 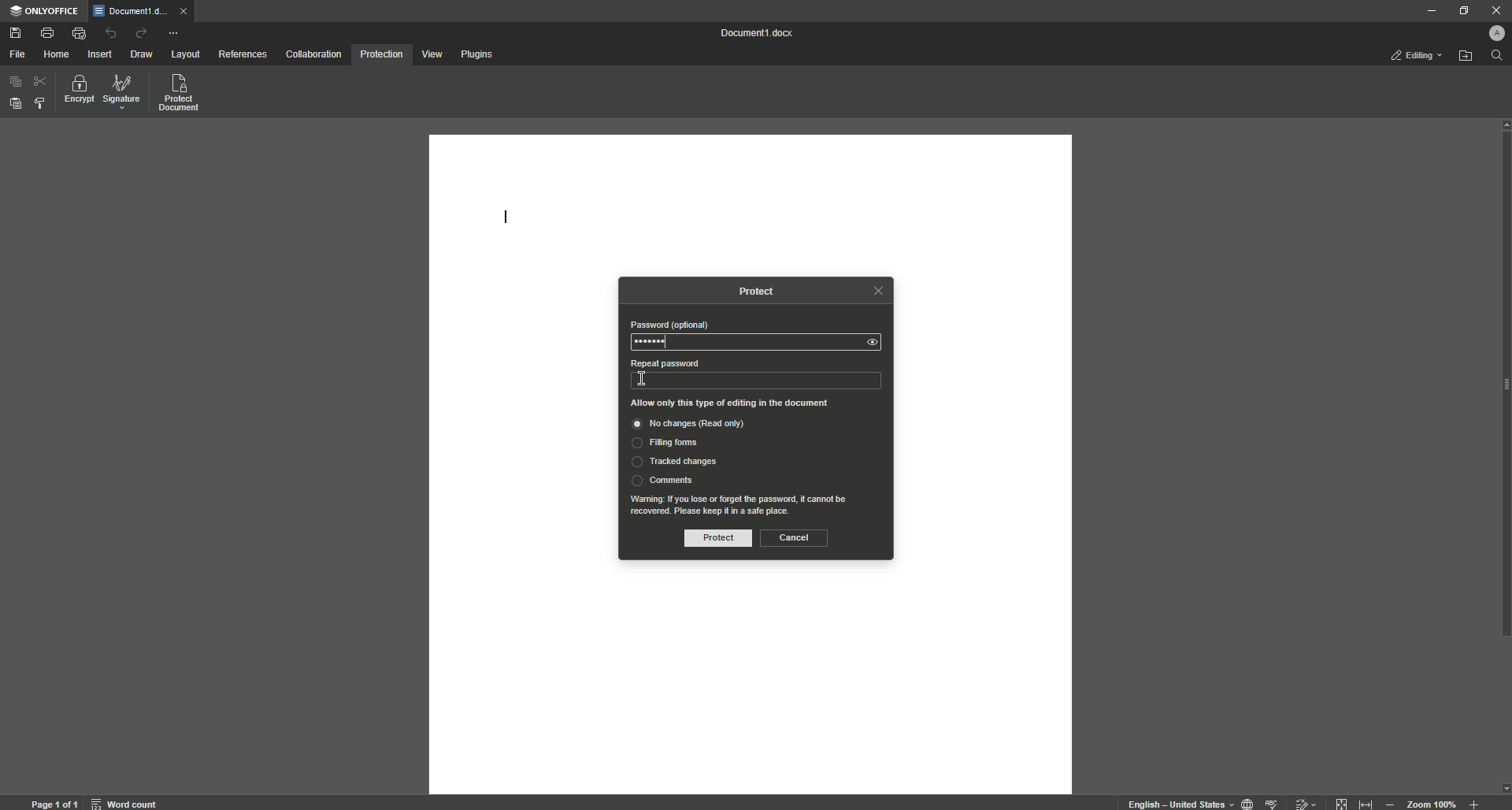 What do you see at coordinates (432, 54) in the screenshot?
I see `View` at bounding box center [432, 54].